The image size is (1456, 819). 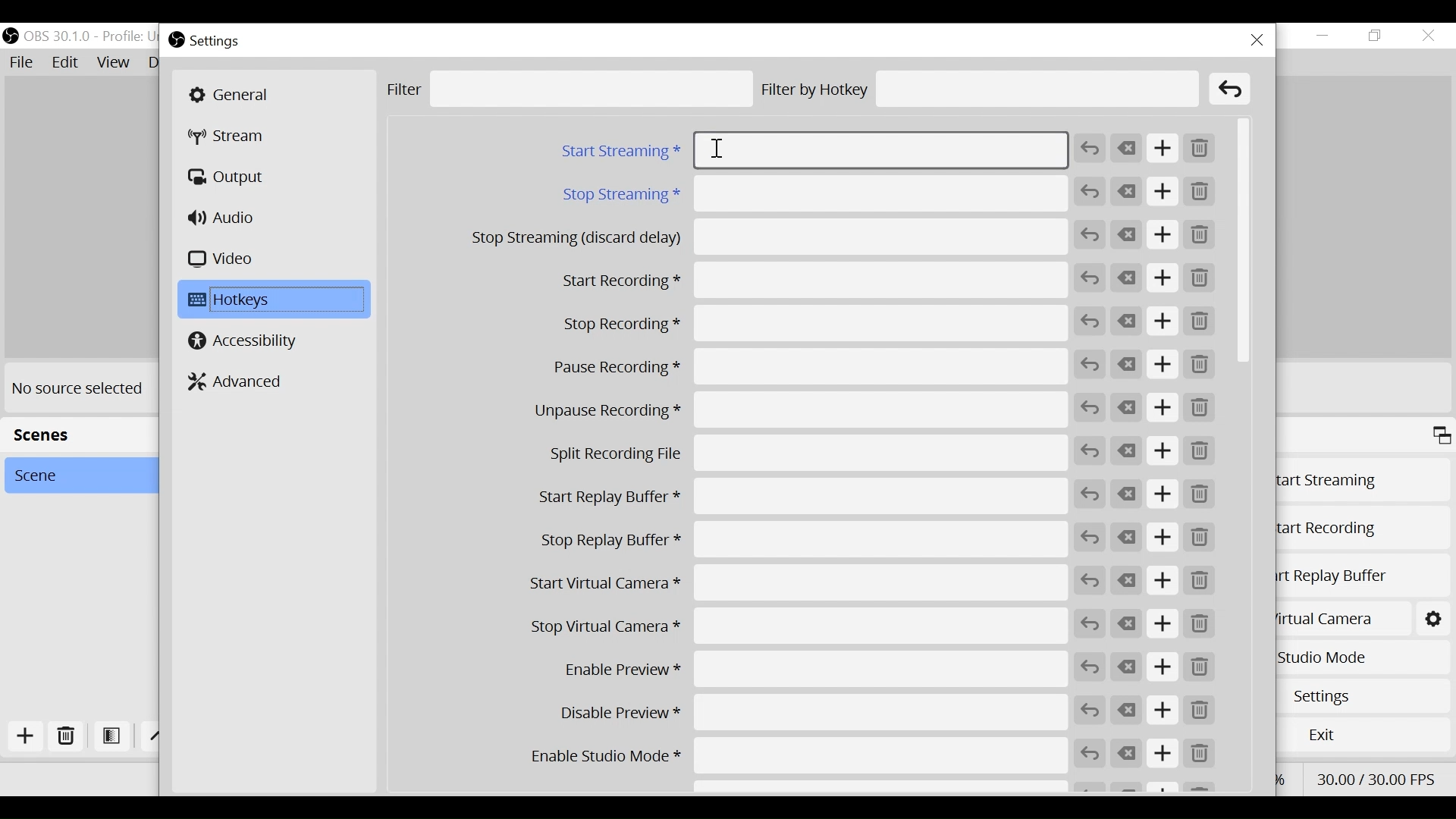 What do you see at coordinates (1375, 777) in the screenshot?
I see `Frame Per Second` at bounding box center [1375, 777].